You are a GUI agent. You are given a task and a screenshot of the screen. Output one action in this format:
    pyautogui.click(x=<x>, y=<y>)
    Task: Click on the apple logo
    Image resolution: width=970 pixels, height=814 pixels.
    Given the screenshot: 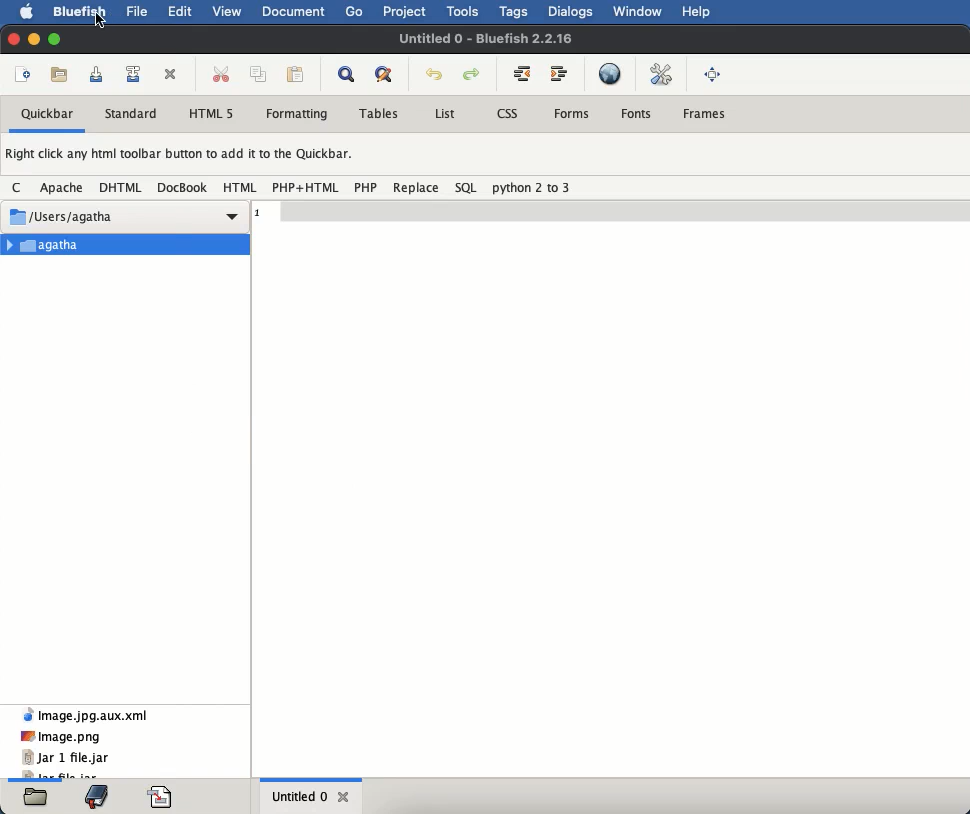 What is the action you would take?
    pyautogui.click(x=27, y=12)
    